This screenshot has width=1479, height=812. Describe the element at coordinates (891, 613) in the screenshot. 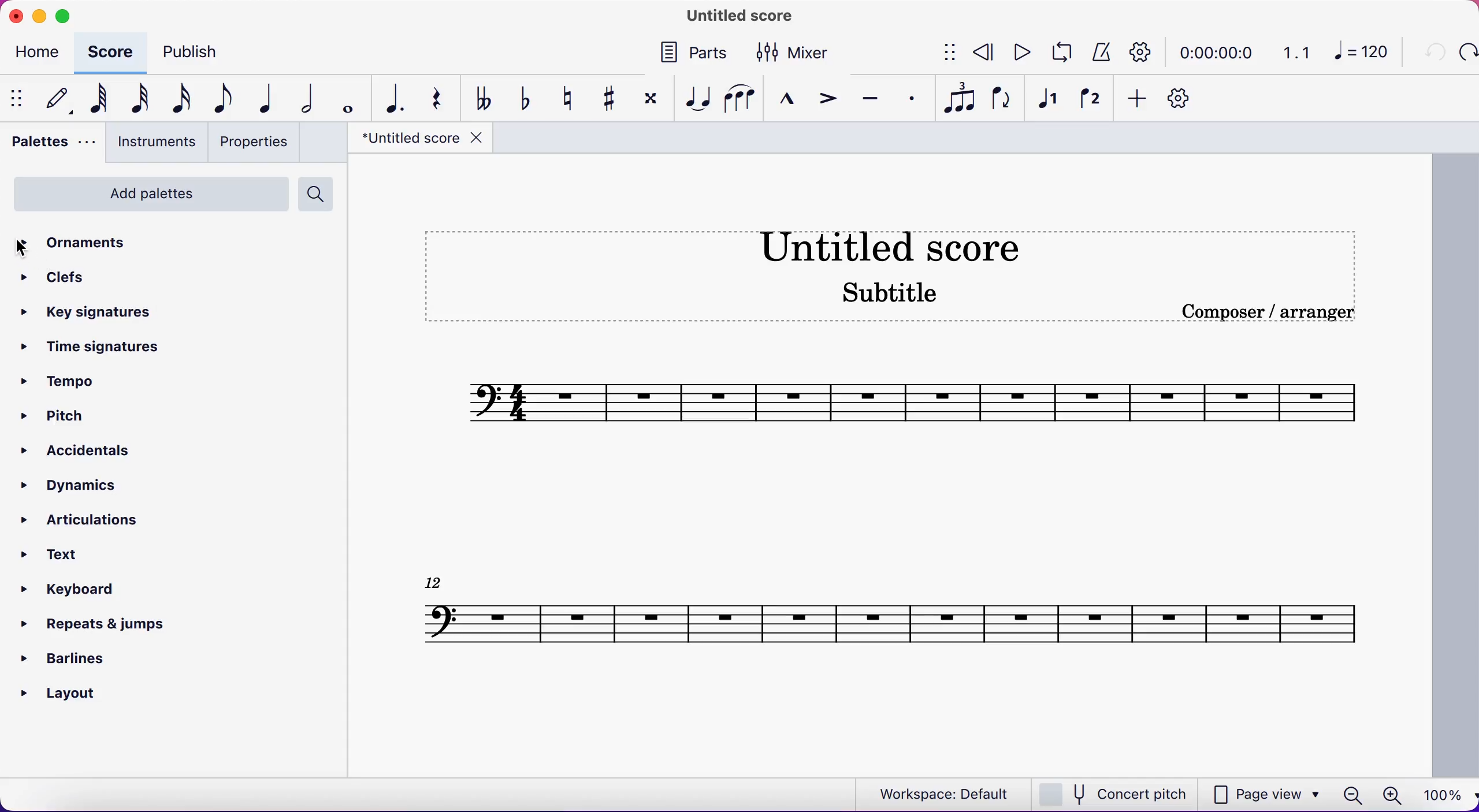

I see `Score` at that location.